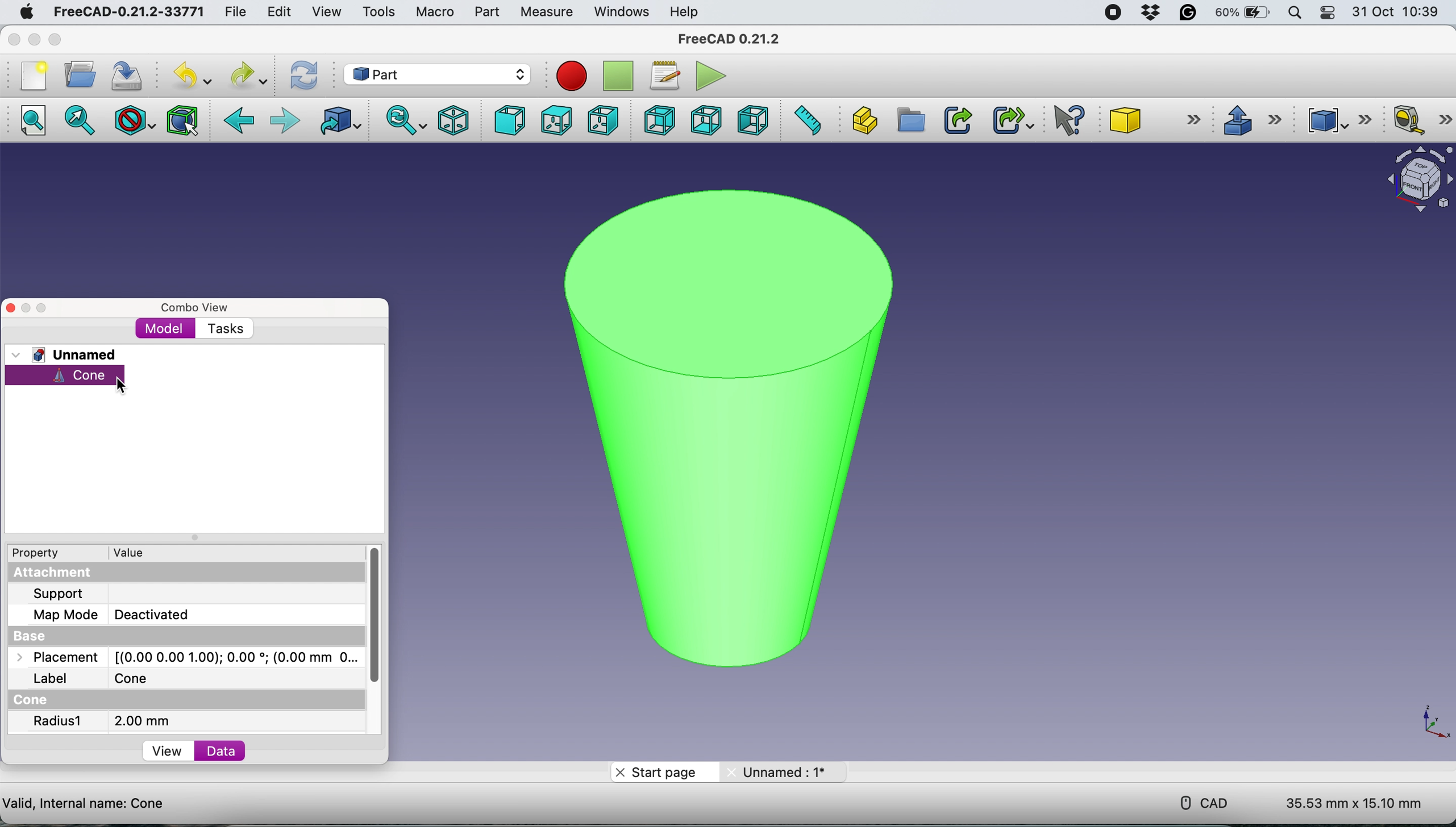 Image resolution: width=1456 pixels, height=827 pixels. I want to click on screen recorder, so click(1109, 12).